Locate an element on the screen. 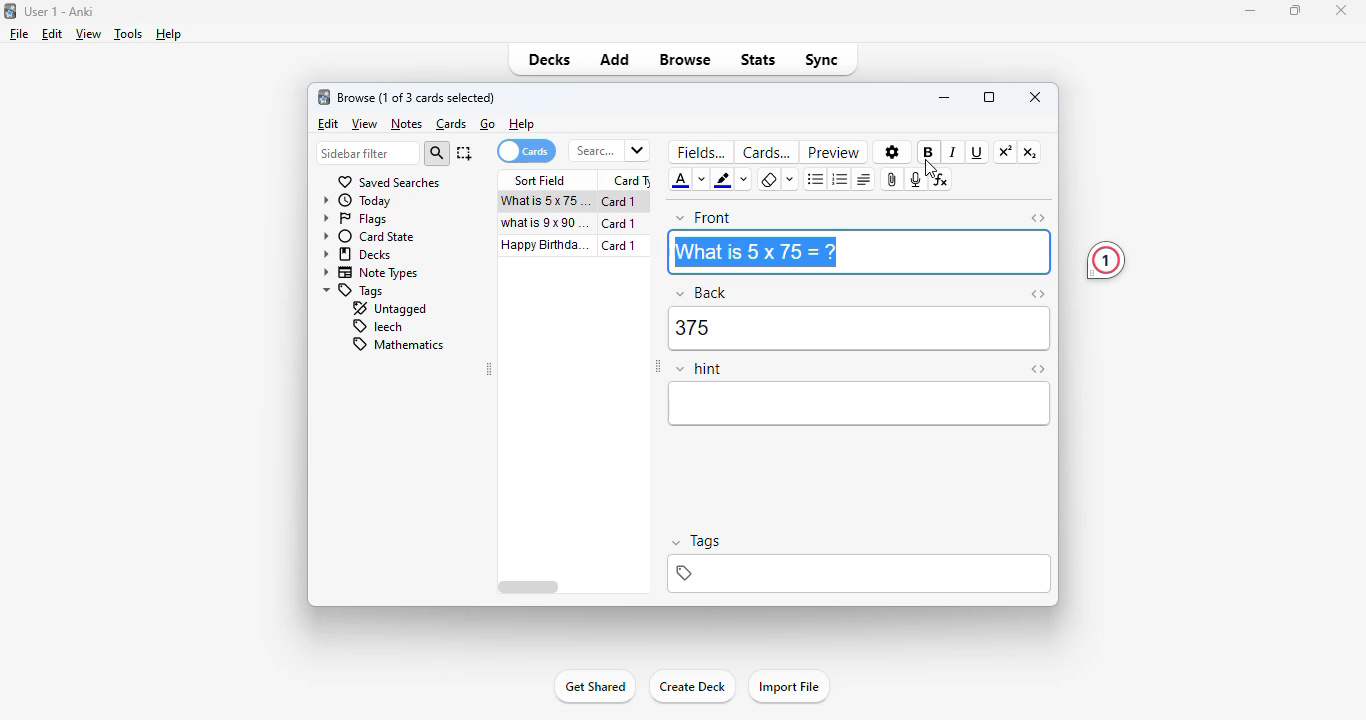 This screenshot has height=720, width=1366. bold is located at coordinates (929, 152).